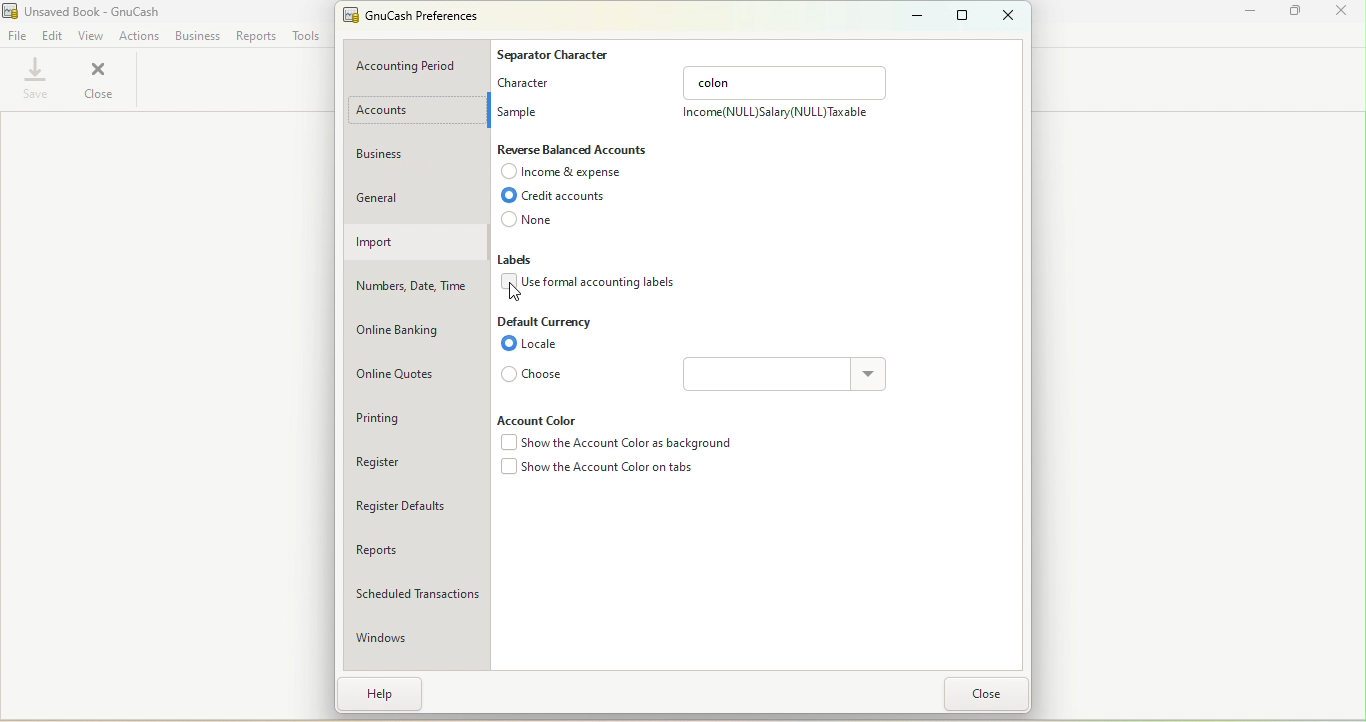  What do you see at coordinates (197, 35) in the screenshot?
I see `Business` at bounding box center [197, 35].